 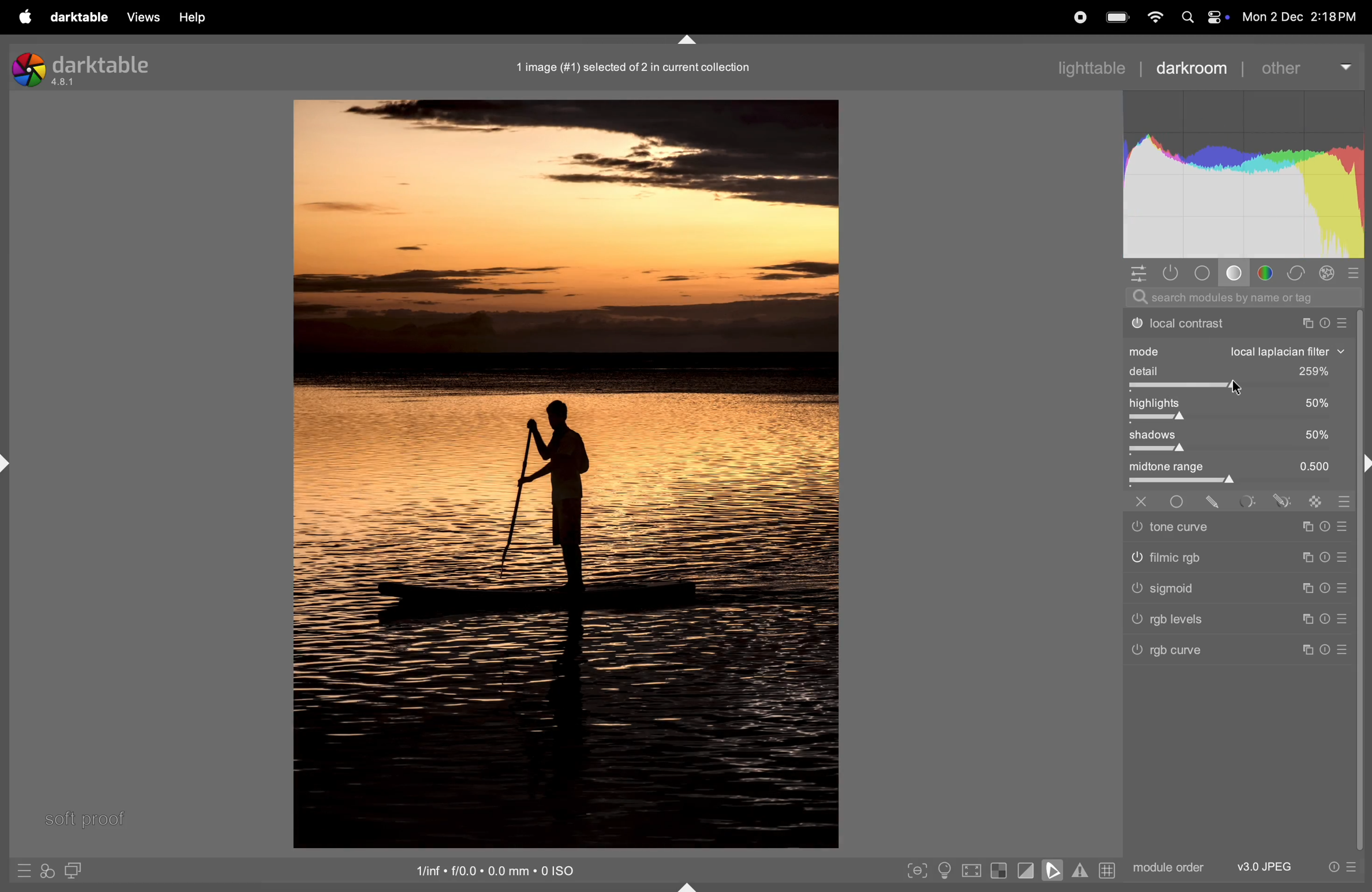 What do you see at coordinates (1193, 621) in the screenshot?
I see `` at bounding box center [1193, 621].